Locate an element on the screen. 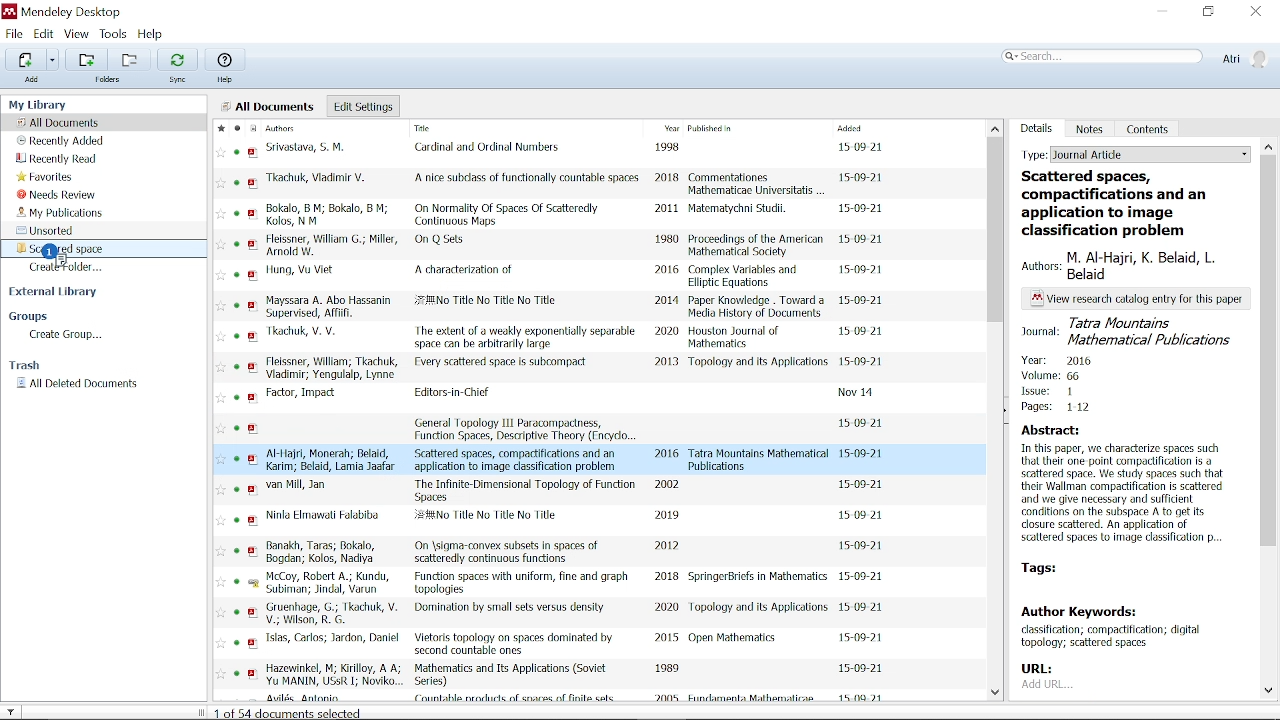  Edit settings is located at coordinates (363, 106).